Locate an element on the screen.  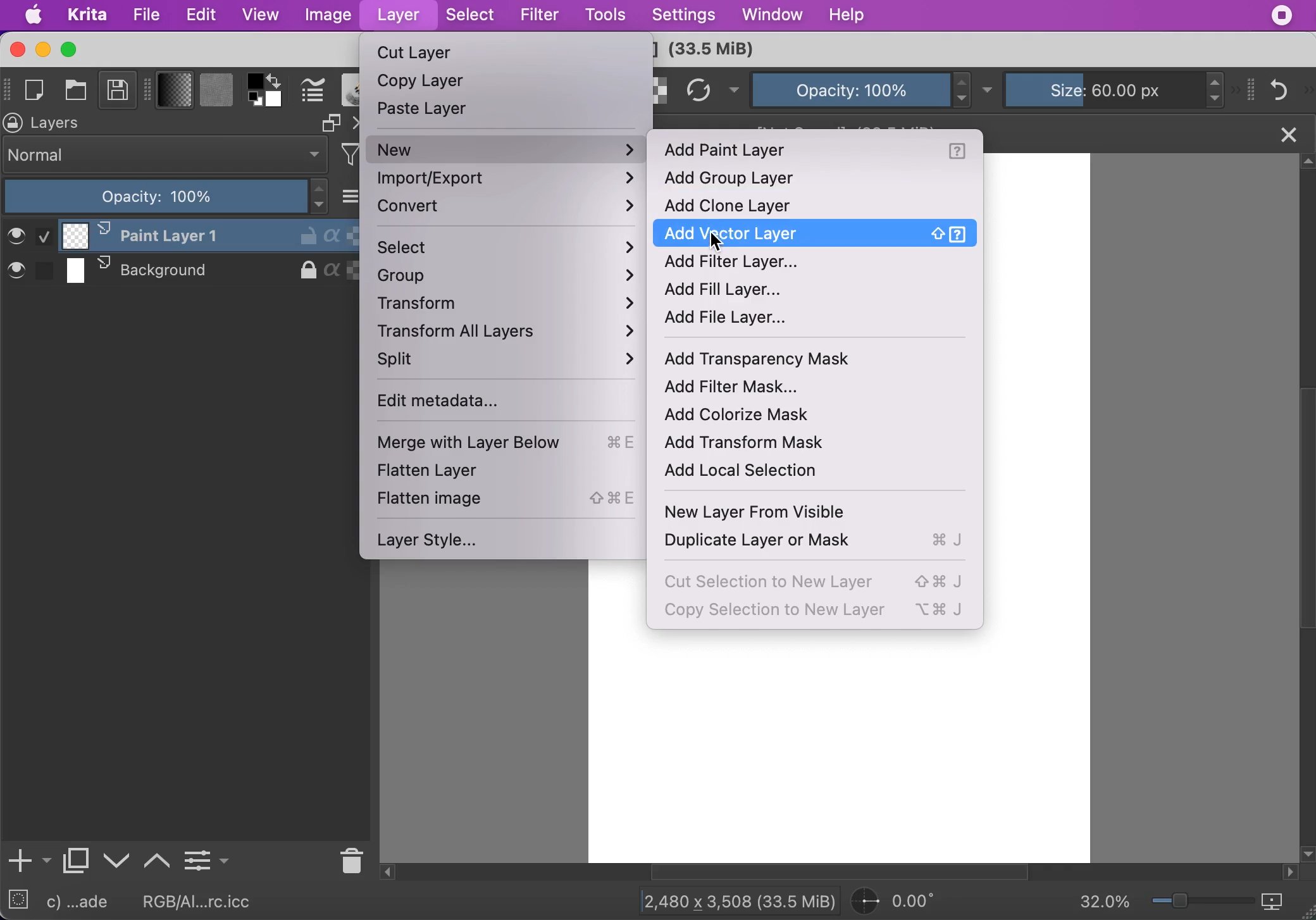
settings is located at coordinates (683, 16).